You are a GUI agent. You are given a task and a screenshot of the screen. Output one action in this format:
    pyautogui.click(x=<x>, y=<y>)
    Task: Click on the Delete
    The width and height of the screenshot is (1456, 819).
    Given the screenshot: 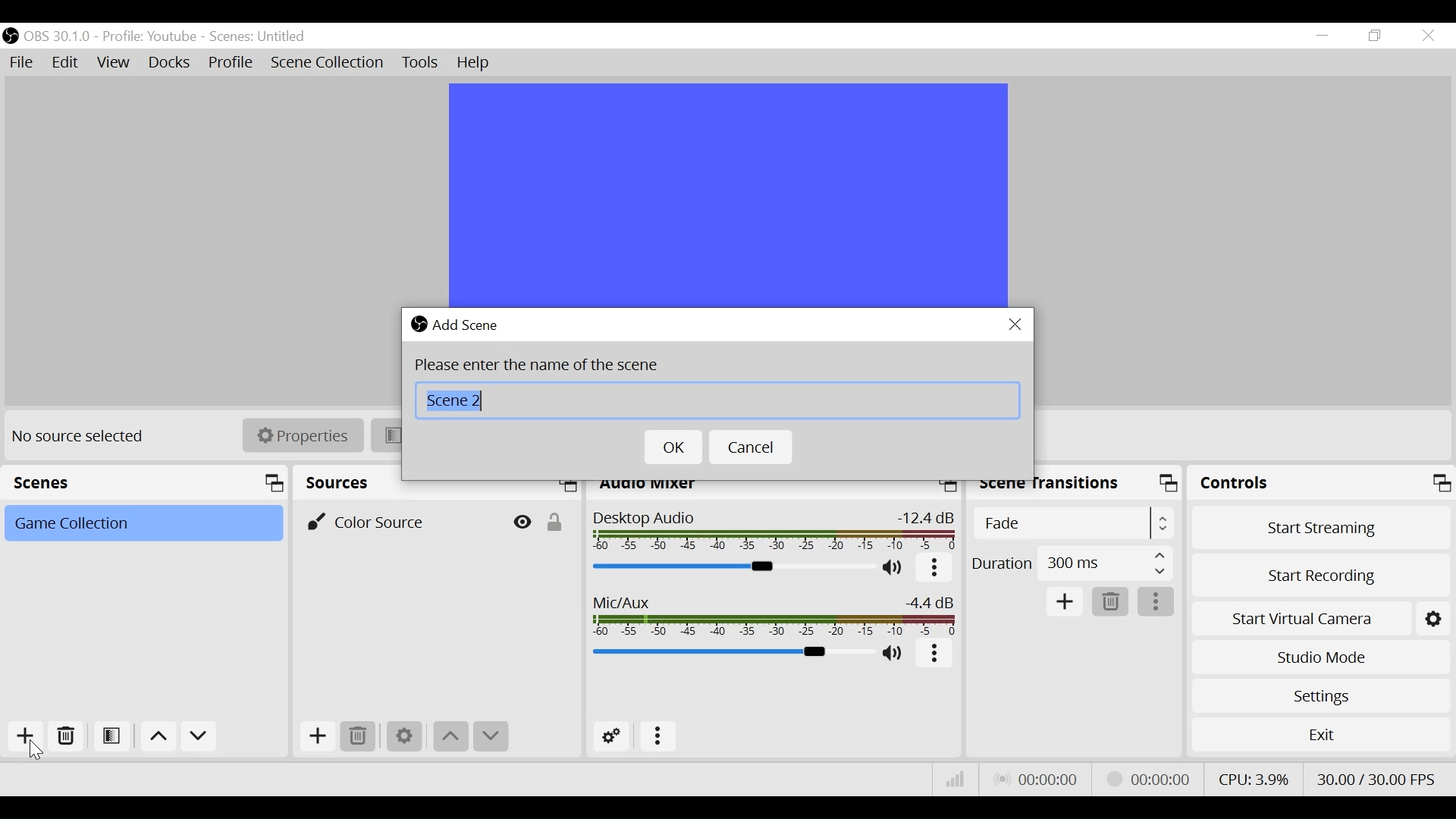 What is the action you would take?
    pyautogui.click(x=1111, y=602)
    